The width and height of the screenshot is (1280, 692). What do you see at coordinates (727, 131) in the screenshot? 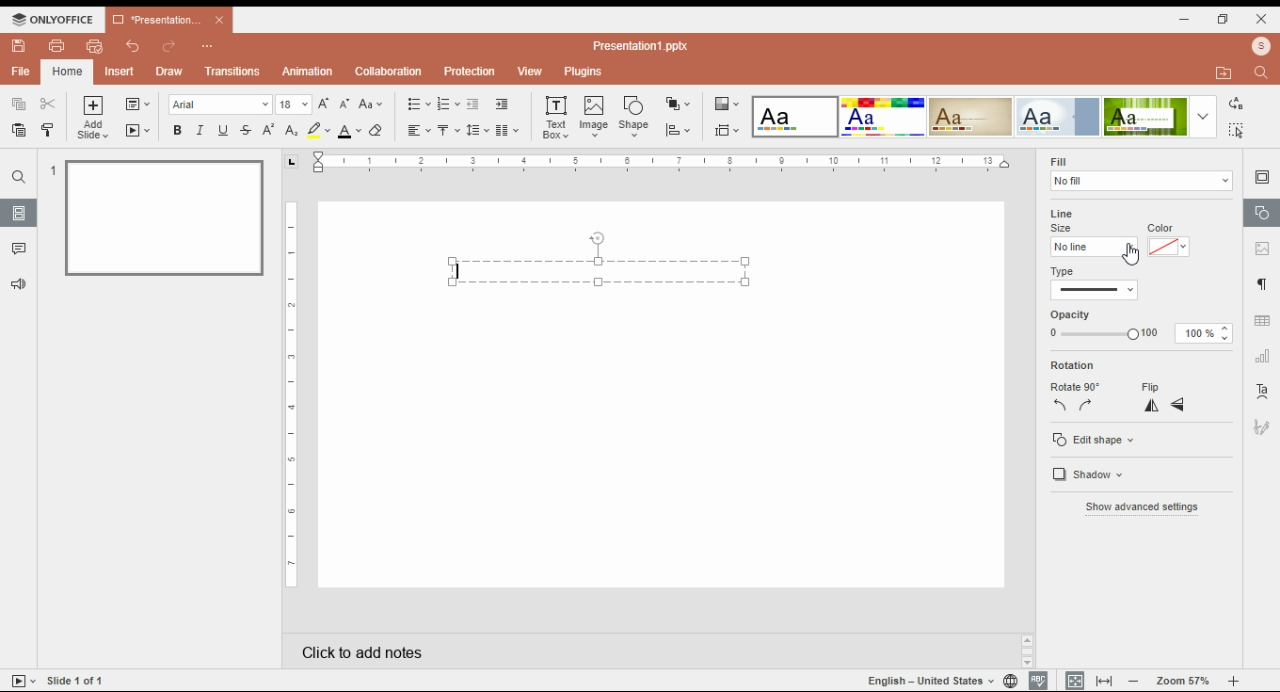
I see `slide size` at bounding box center [727, 131].